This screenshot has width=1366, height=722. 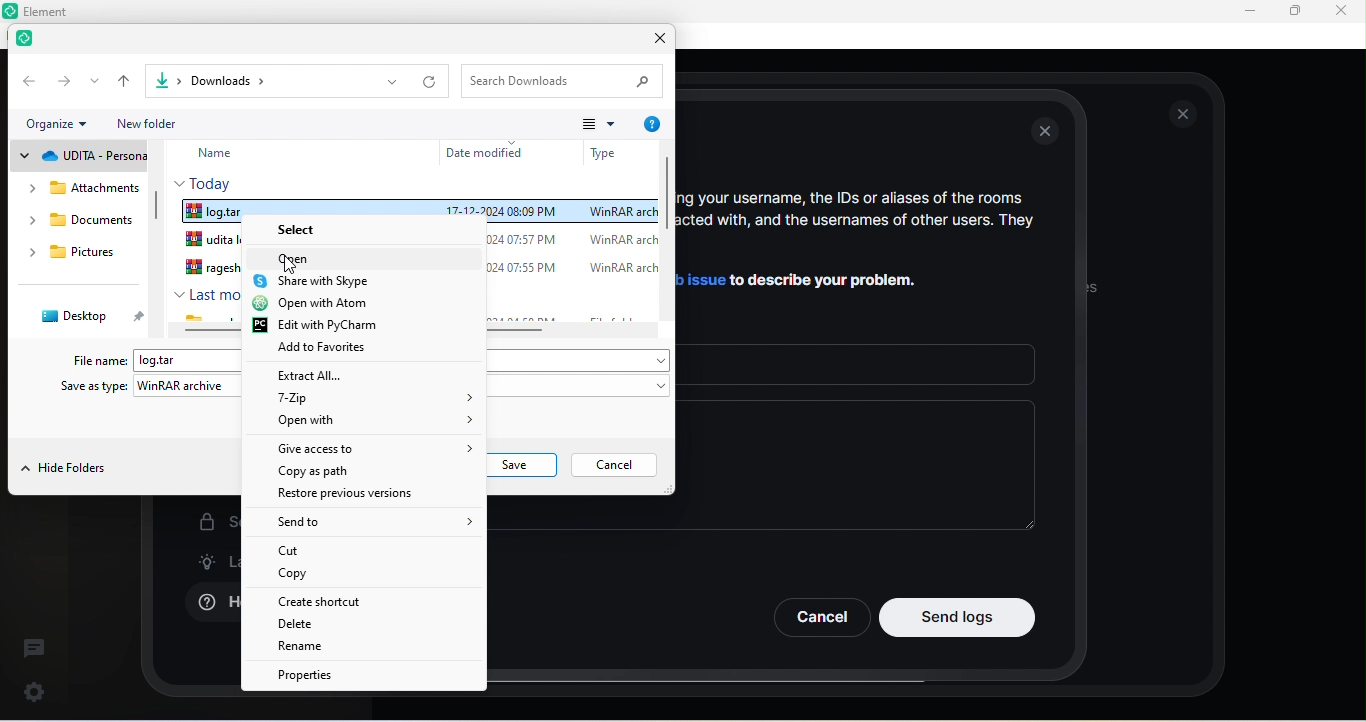 What do you see at coordinates (323, 326) in the screenshot?
I see `edit with pycharm` at bounding box center [323, 326].